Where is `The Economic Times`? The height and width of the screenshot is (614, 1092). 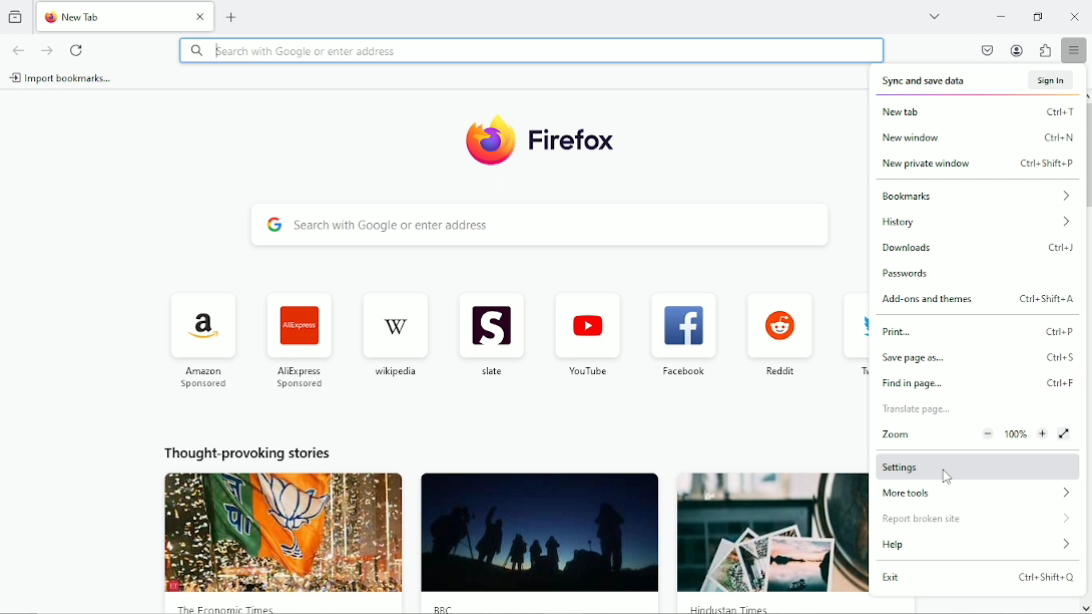
The Economic Times is located at coordinates (285, 543).